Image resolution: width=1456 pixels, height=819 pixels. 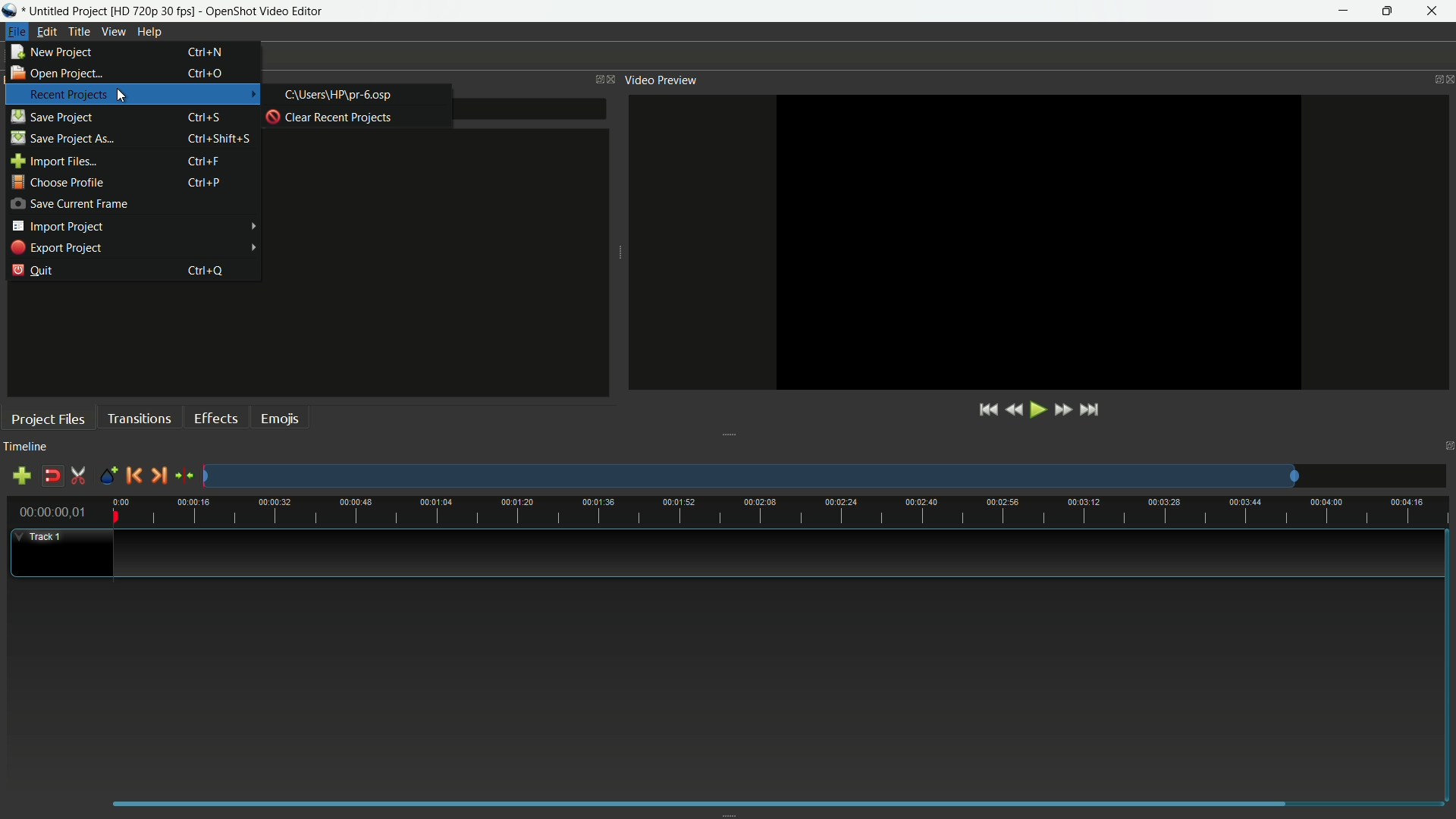 I want to click on cursor, so click(x=122, y=96).